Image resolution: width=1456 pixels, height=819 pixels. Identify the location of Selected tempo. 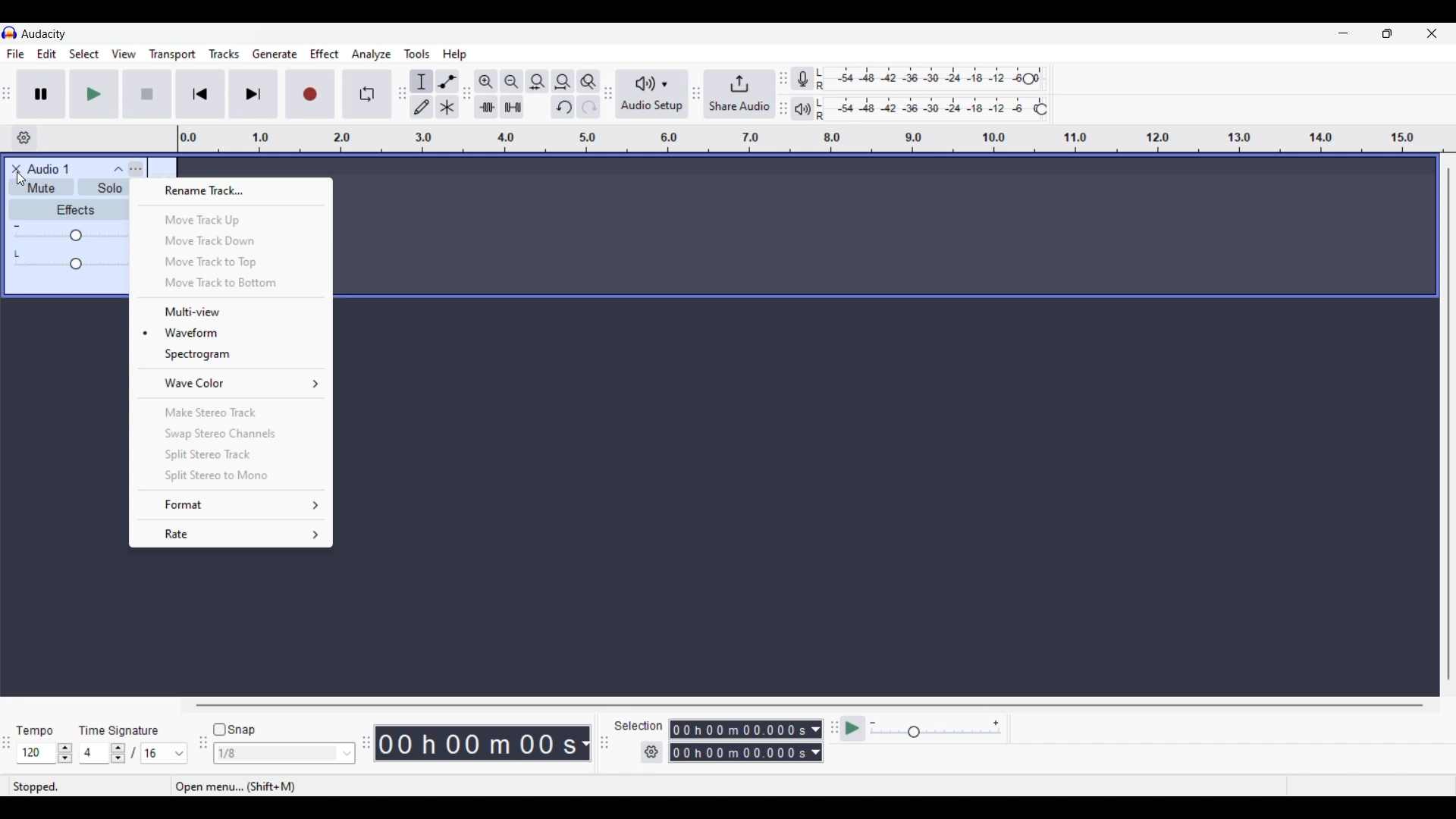
(36, 753).